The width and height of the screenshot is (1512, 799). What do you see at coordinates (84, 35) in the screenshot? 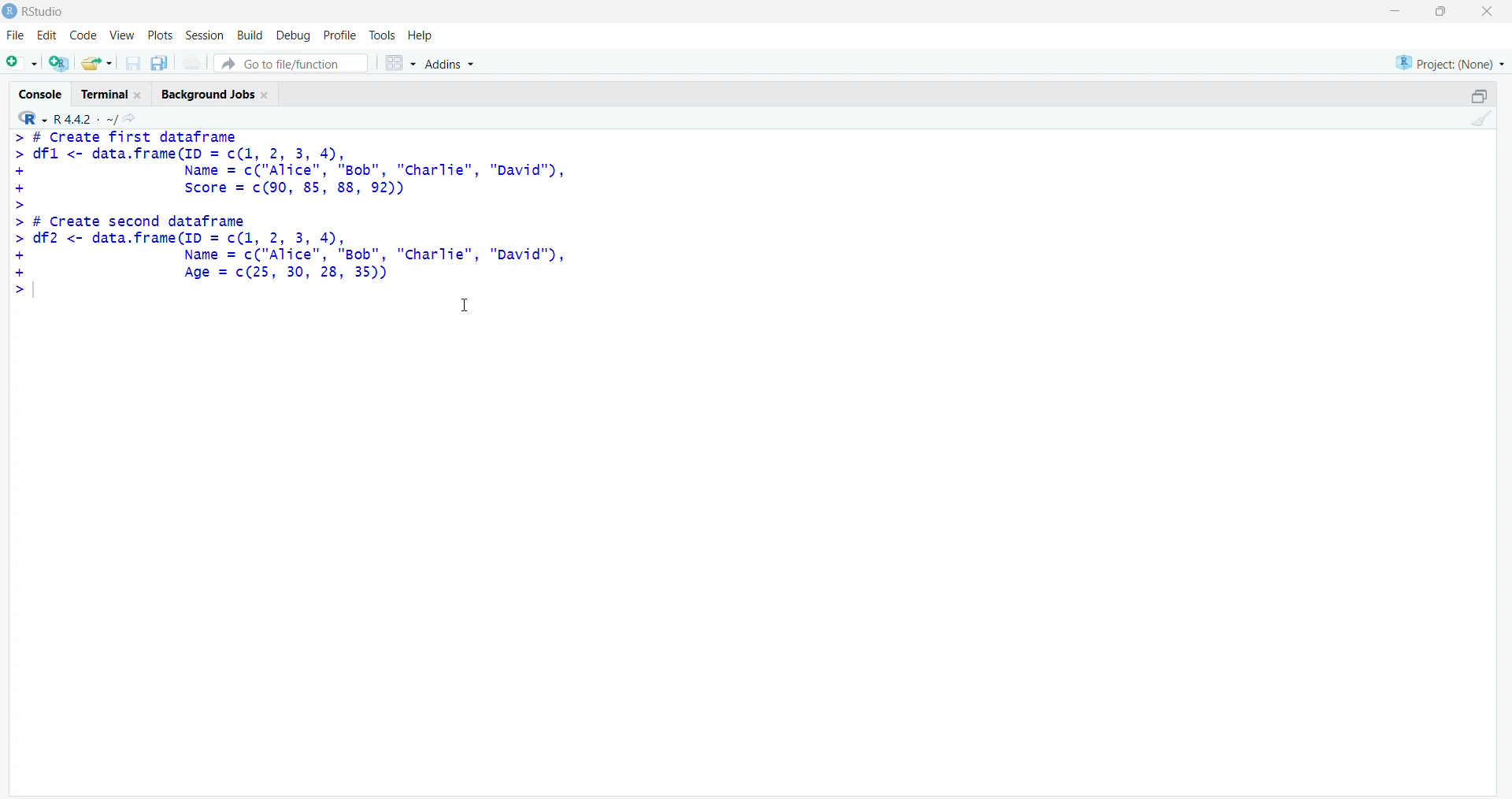
I see `code` at bounding box center [84, 35].